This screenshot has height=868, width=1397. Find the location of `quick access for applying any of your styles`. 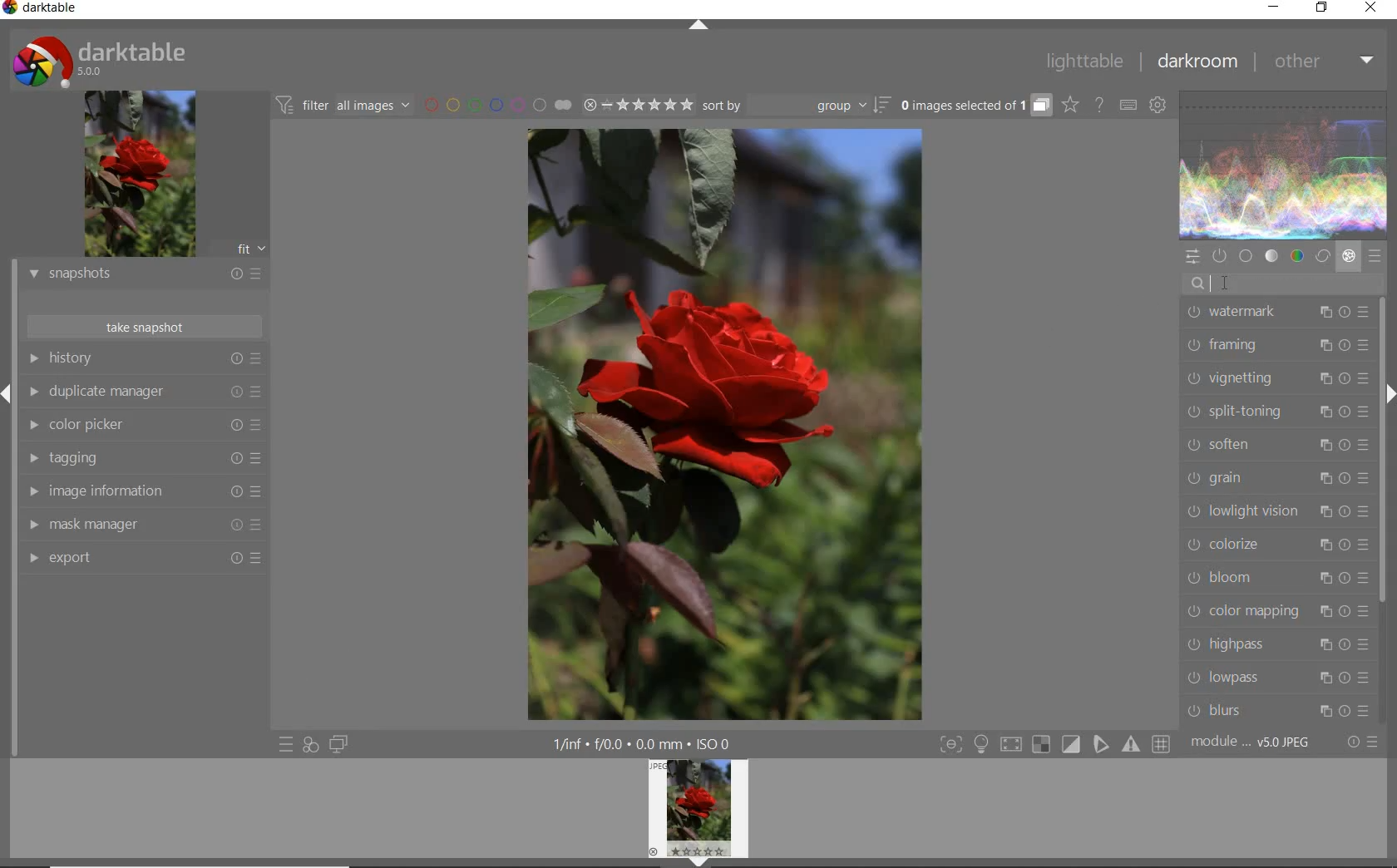

quick access for applying any of your styles is located at coordinates (310, 747).